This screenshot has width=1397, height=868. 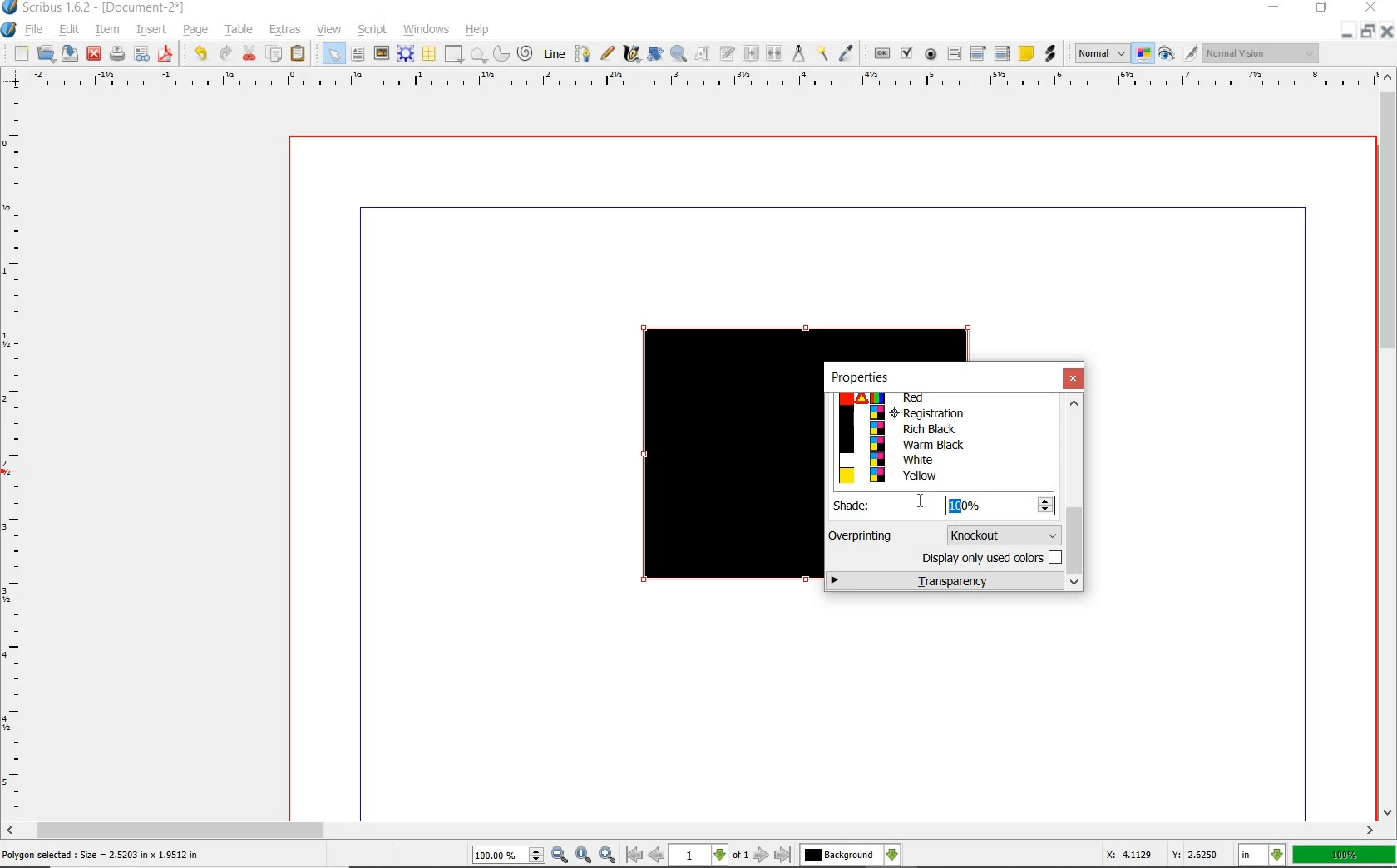 I want to click on pdf list box, so click(x=1003, y=52).